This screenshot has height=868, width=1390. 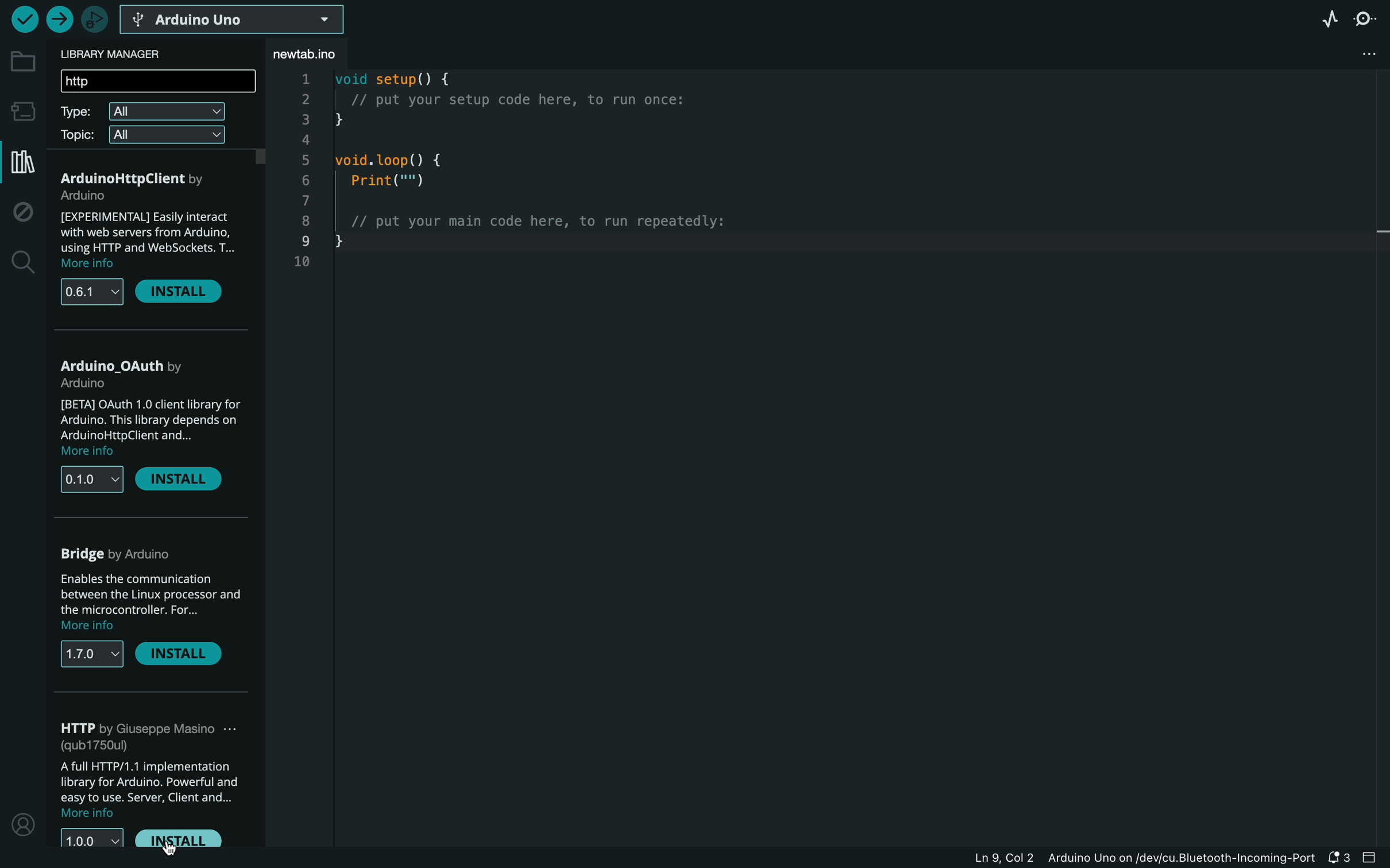 I want to click on upload, so click(x=59, y=18).